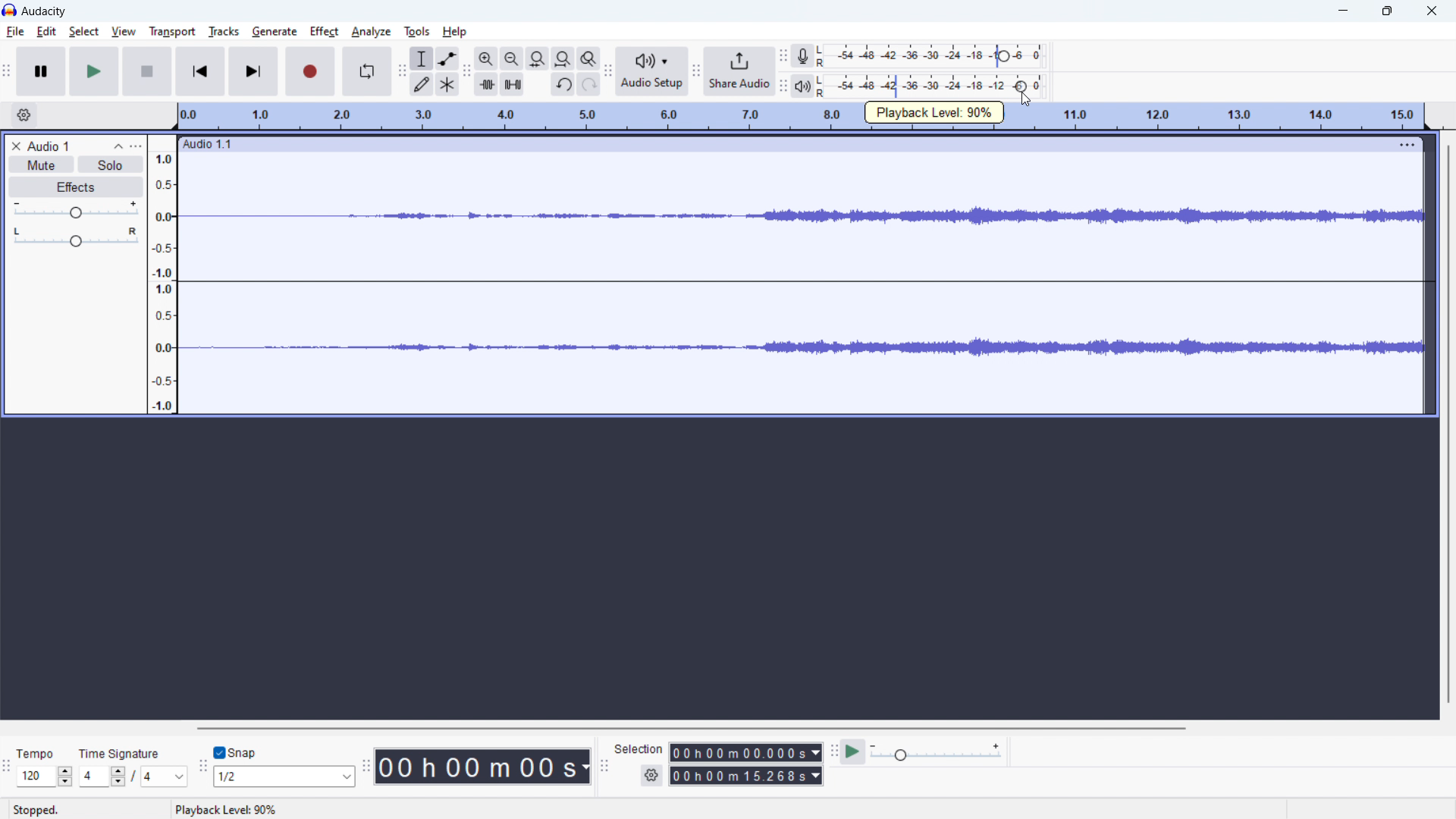 This screenshot has height=819, width=1456. Describe the element at coordinates (133, 776) in the screenshot. I see `time signature` at that location.